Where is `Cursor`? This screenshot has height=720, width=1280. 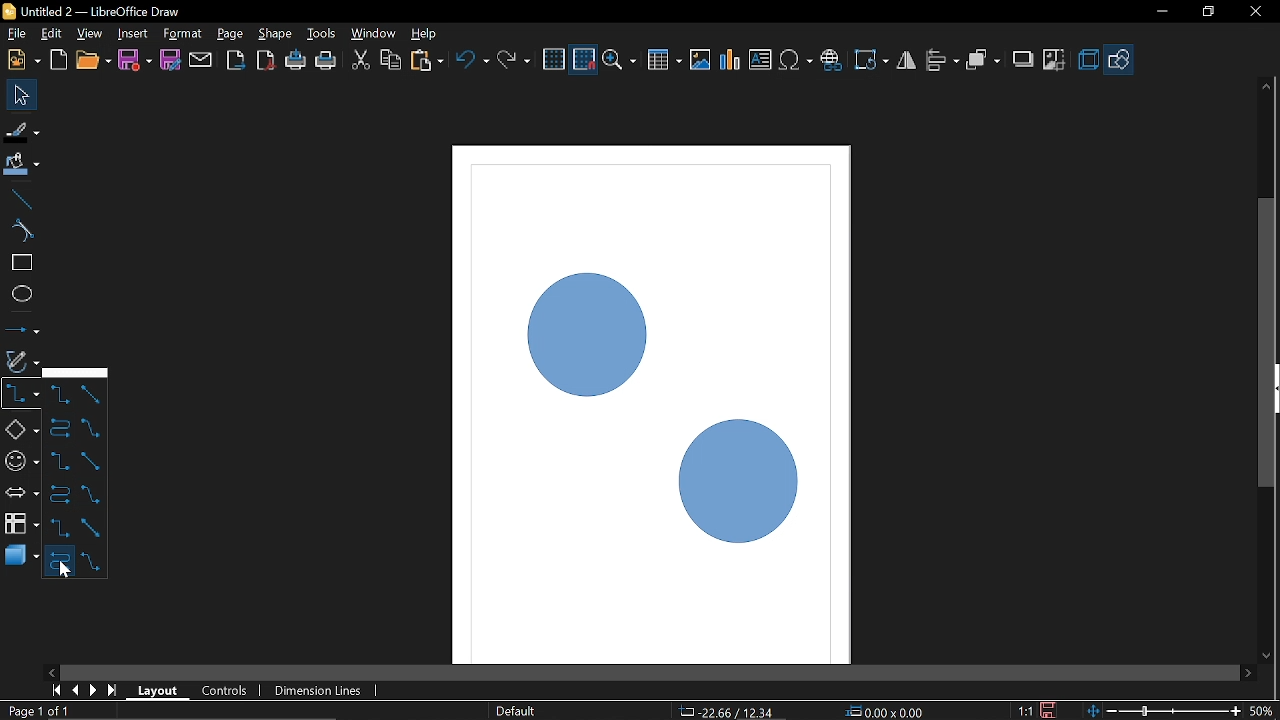
Cursor is located at coordinates (65, 568).